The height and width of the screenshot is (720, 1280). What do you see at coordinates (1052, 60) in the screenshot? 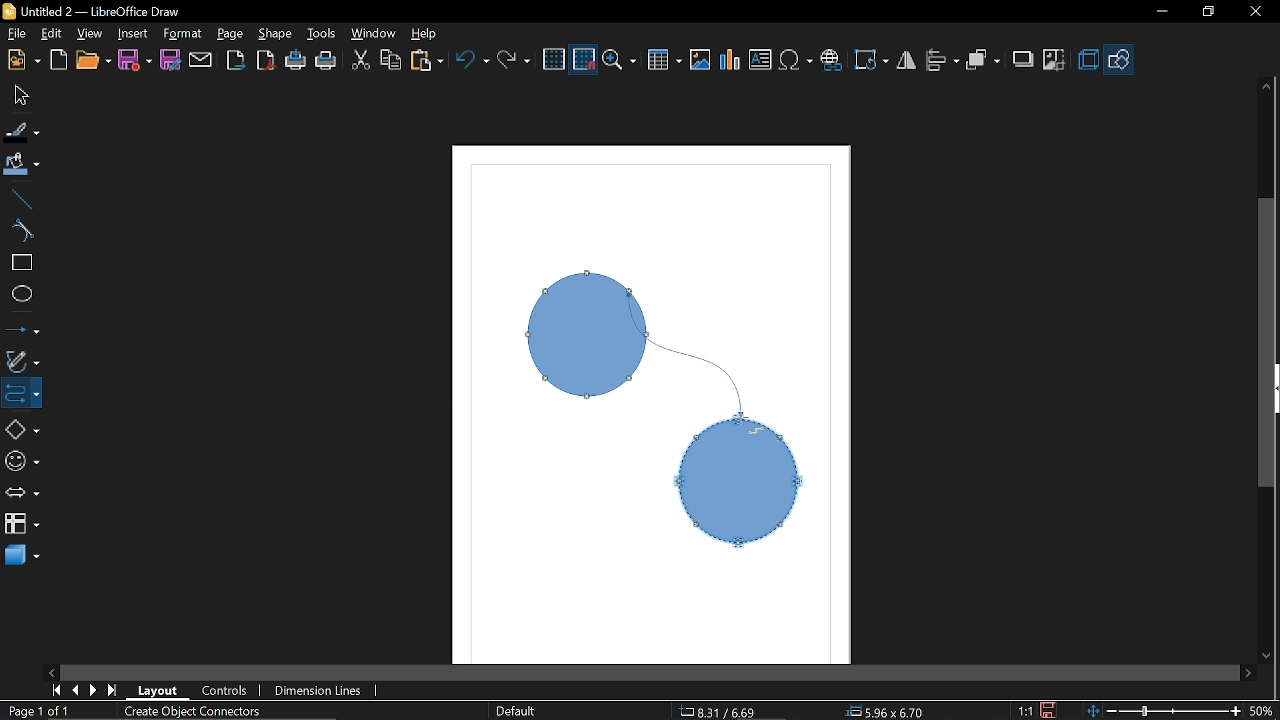
I see `Crop` at bounding box center [1052, 60].